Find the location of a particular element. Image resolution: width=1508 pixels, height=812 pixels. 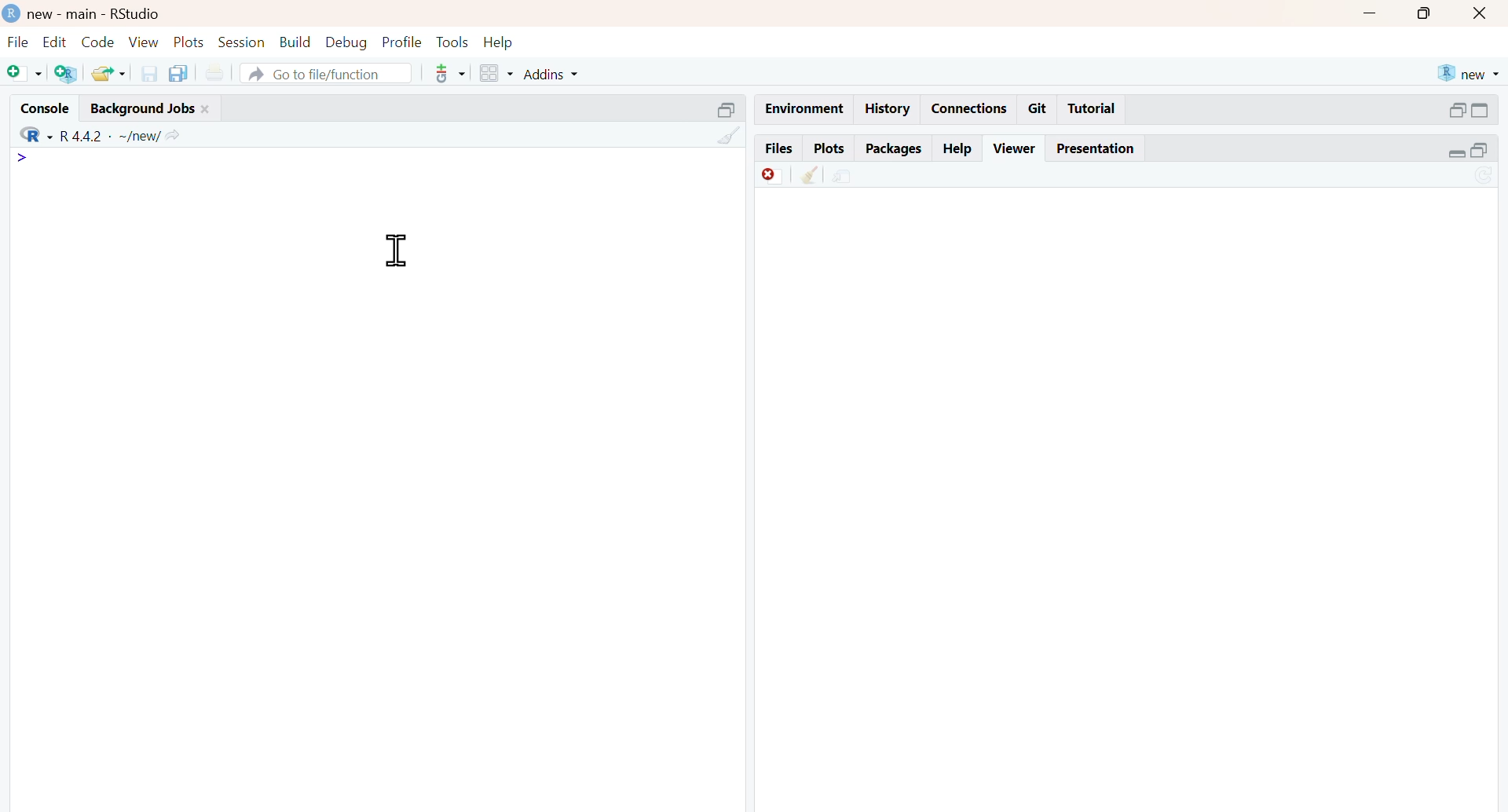

tools is located at coordinates (454, 42).